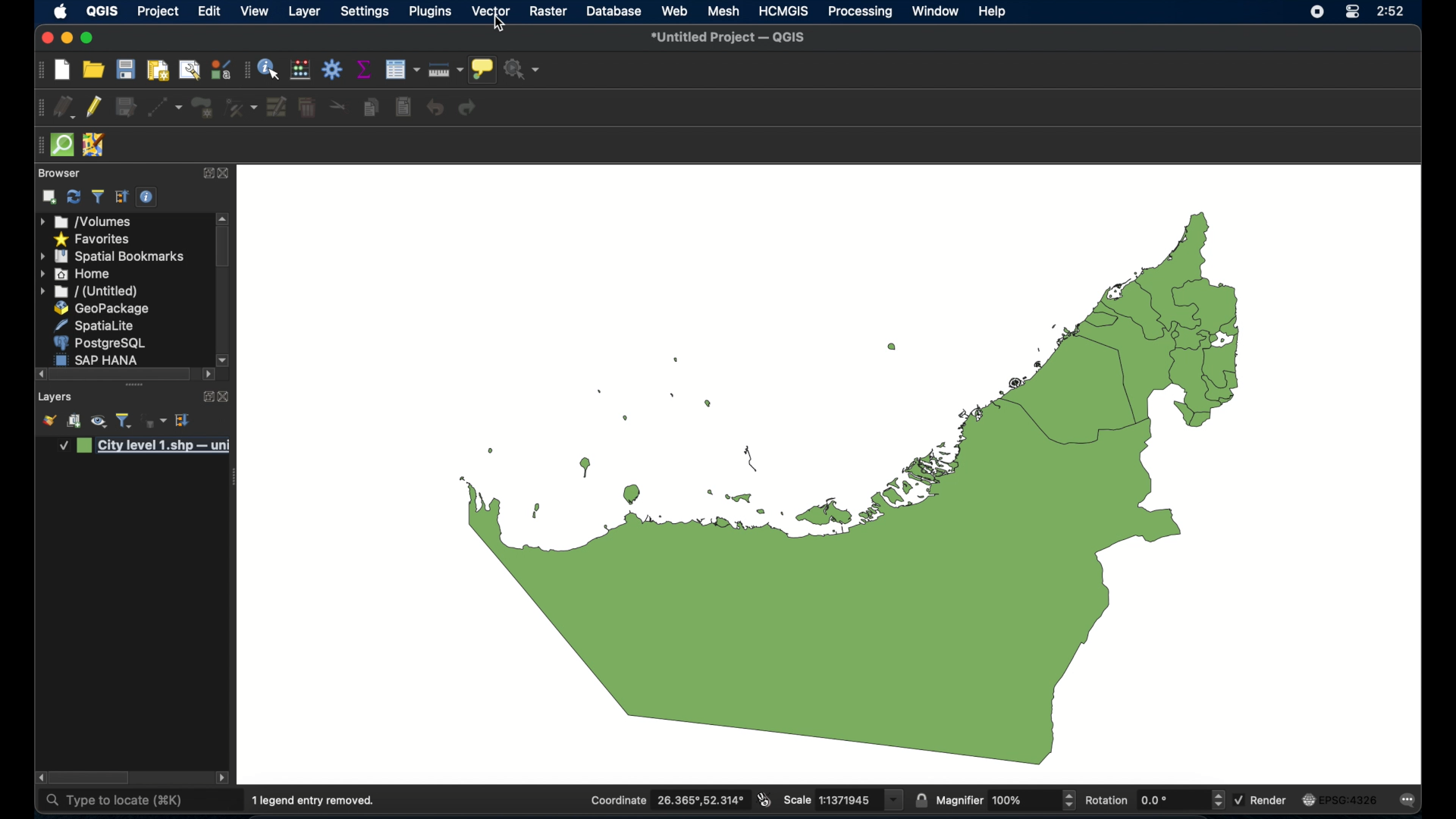 Image resolution: width=1456 pixels, height=819 pixels. Describe the element at coordinates (122, 197) in the screenshot. I see `expand all` at that location.